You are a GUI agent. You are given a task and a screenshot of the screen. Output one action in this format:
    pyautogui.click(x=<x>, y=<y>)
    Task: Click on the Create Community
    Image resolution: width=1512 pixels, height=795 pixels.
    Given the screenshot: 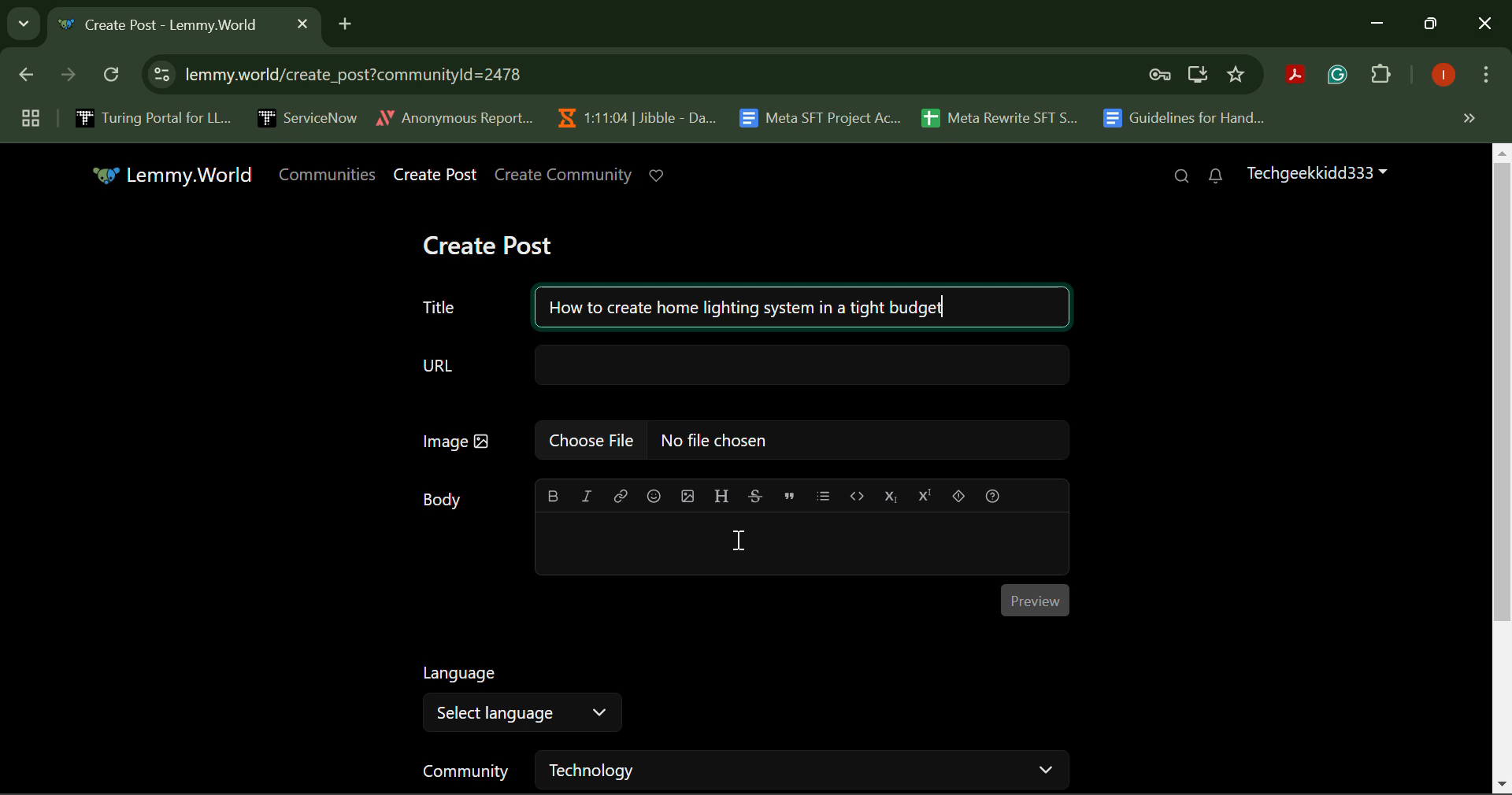 What is the action you would take?
    pyautogui.click(x=564, y=176)
    